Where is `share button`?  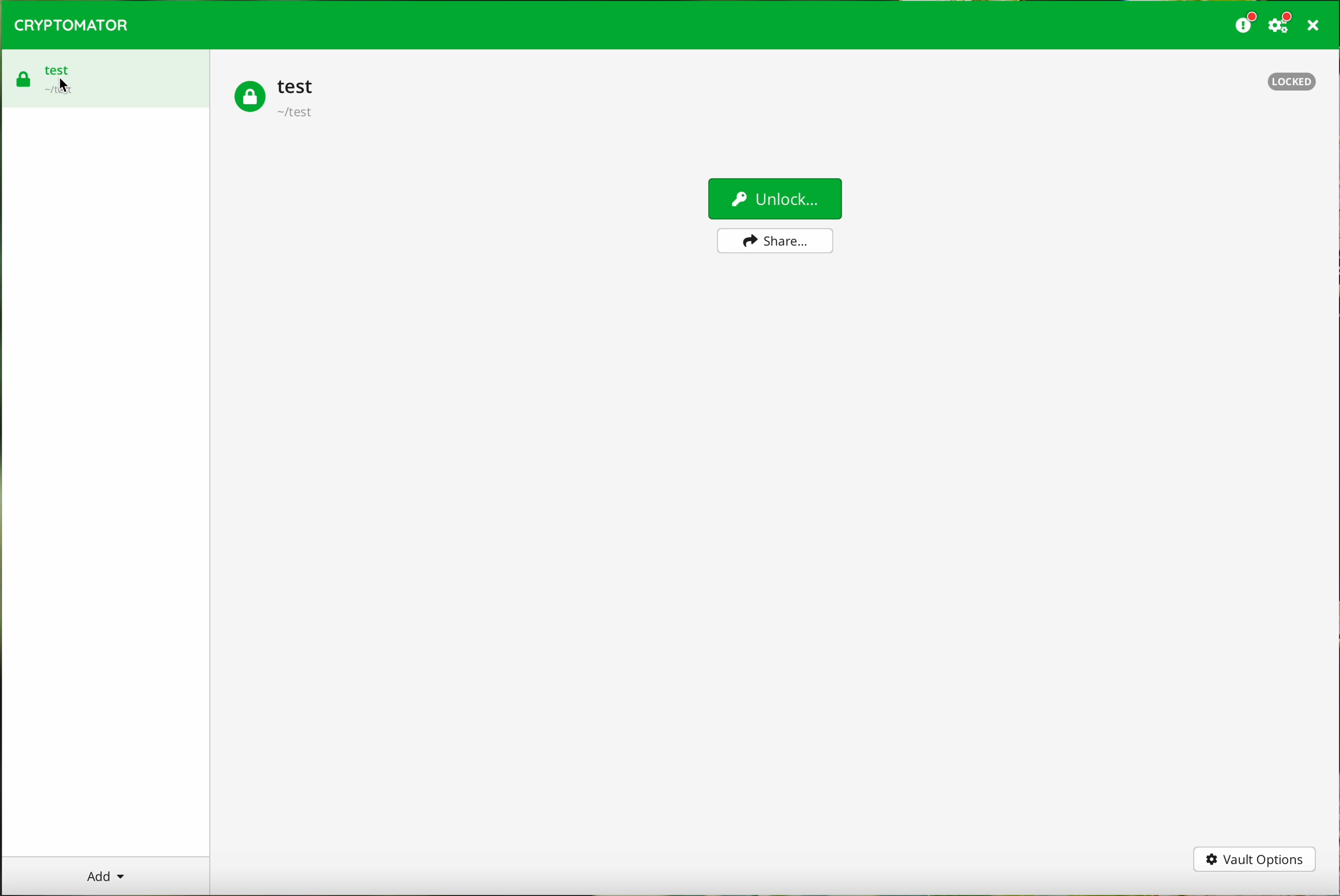 share button is located at coordinates (774, 241).